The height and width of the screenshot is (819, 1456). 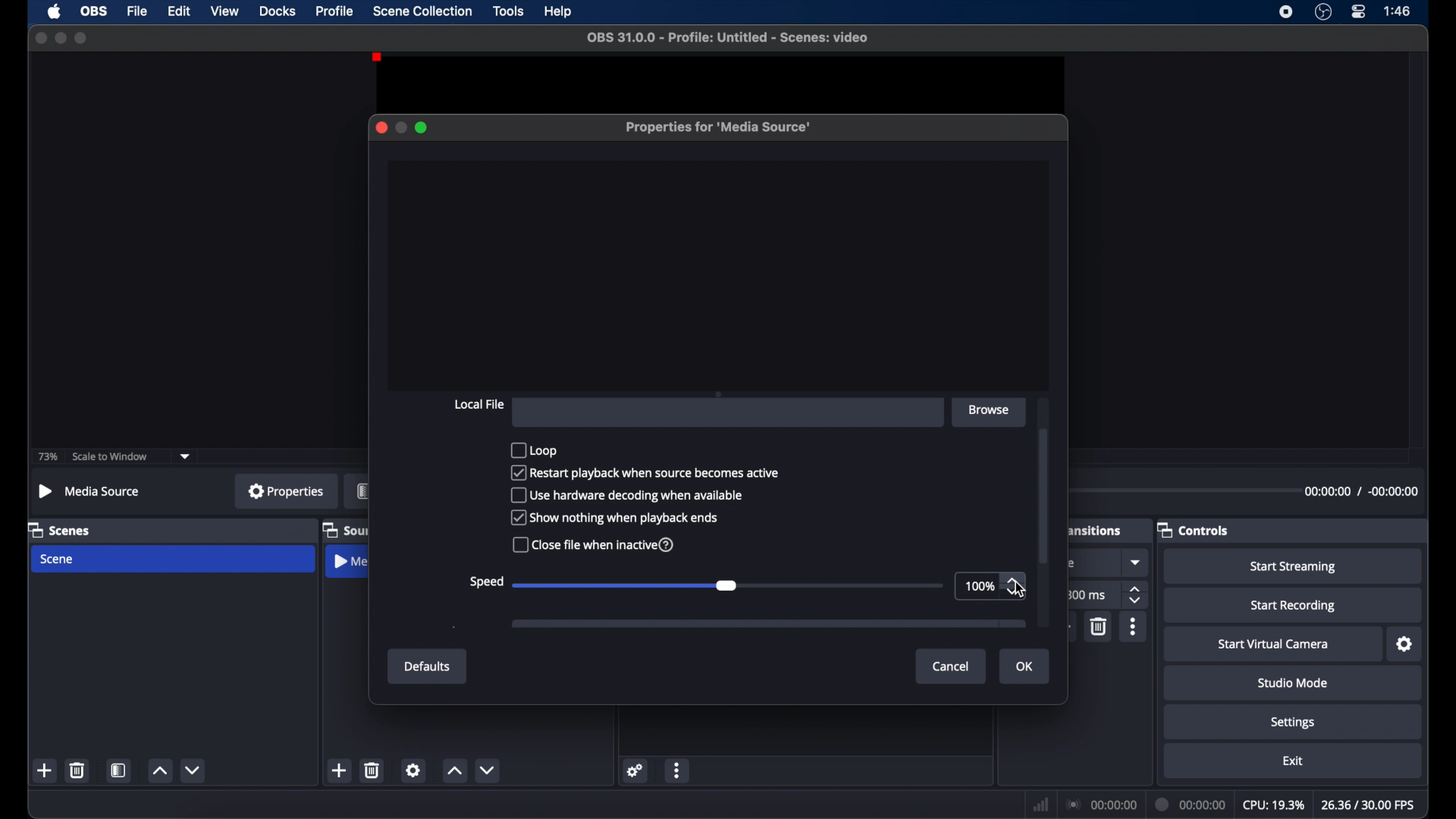 What do you see at coordinates (1294, 761) in the screenshot?
I see `exit` at bounding box center [1294, 761].